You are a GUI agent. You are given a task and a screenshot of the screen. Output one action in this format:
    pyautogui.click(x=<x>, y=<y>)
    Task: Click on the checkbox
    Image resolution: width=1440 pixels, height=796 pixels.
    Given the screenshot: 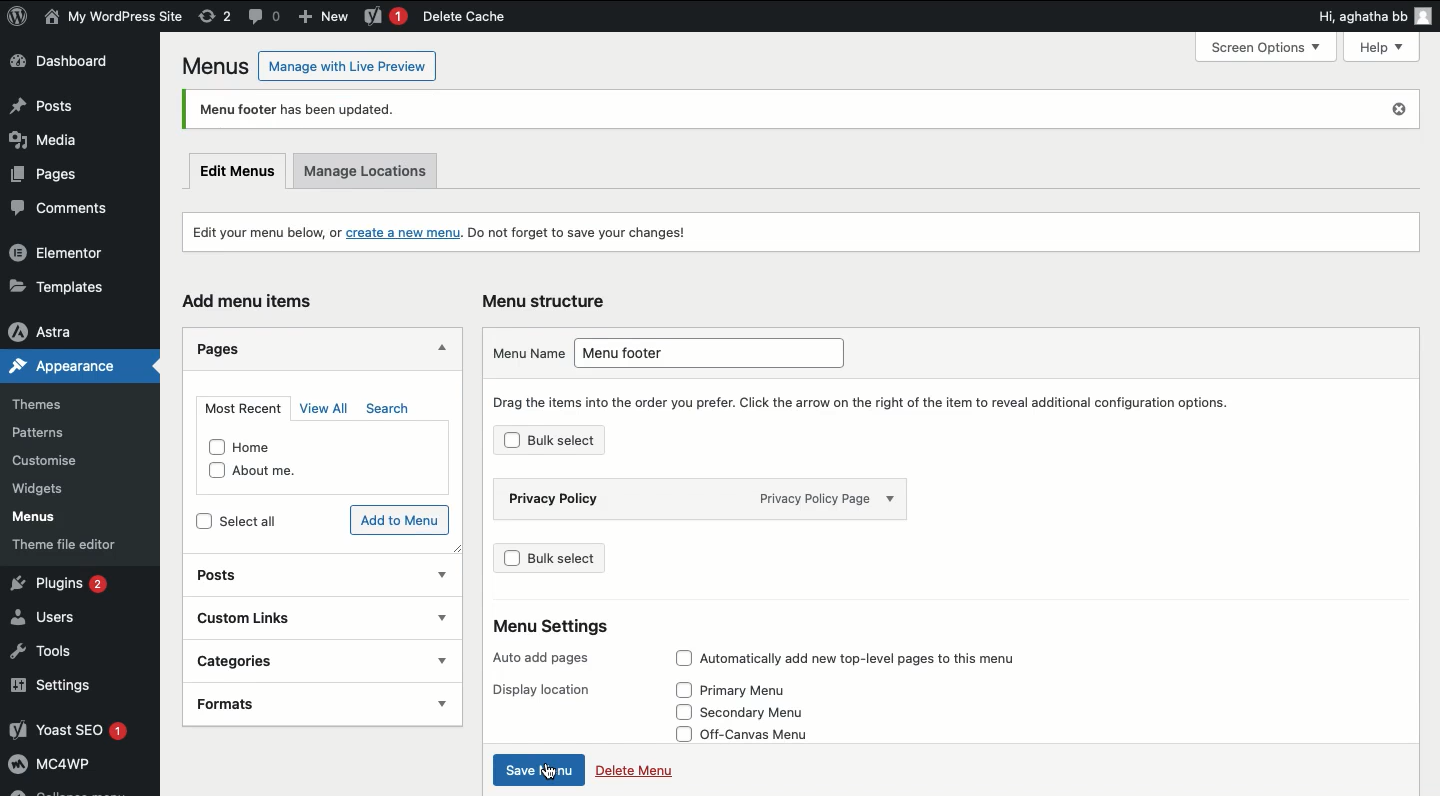 What is the action you would take?
    pyautogui.click(x=677, y=736)
    